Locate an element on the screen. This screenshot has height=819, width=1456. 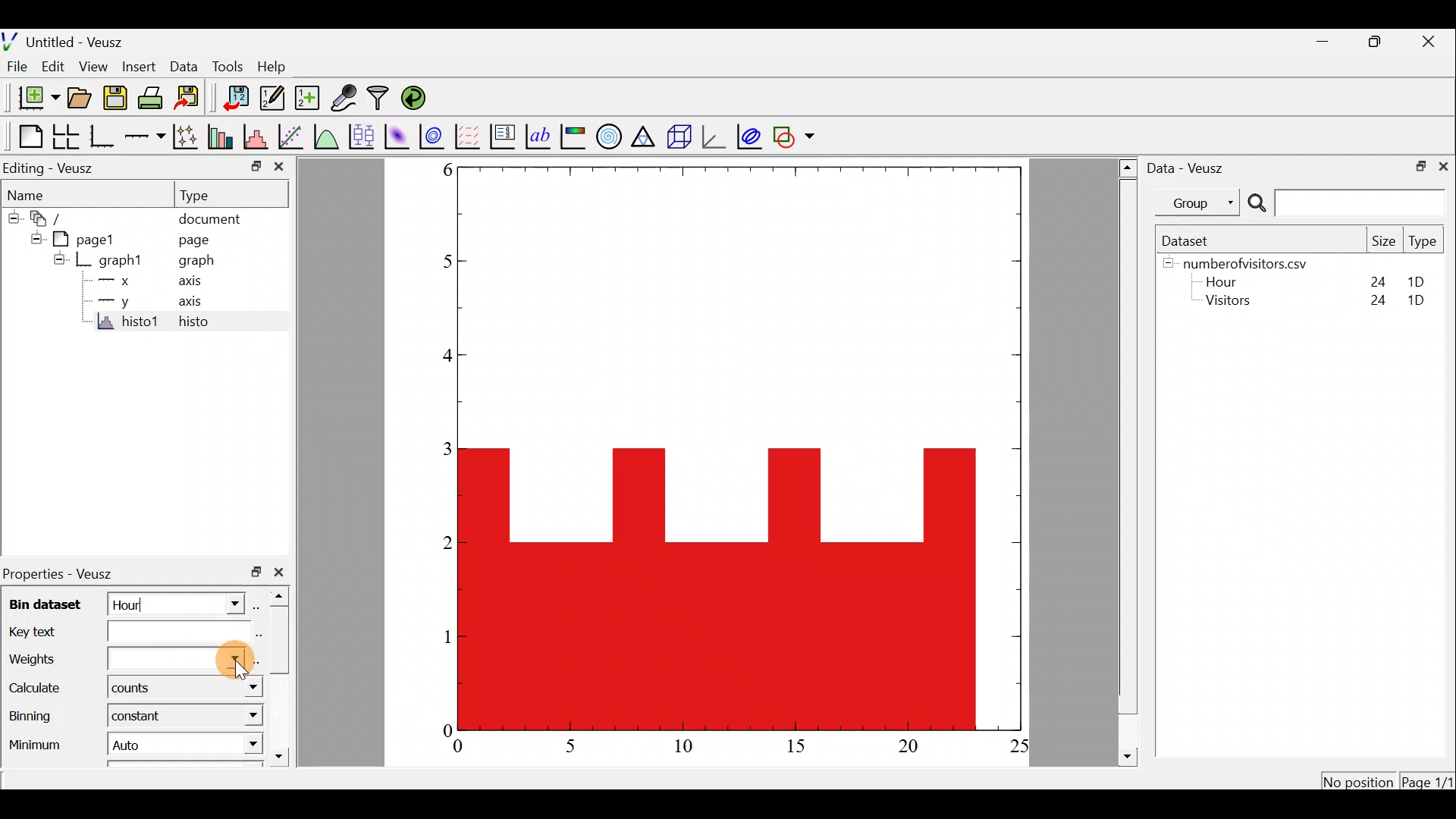
4 is located at coordinates (432, 359).